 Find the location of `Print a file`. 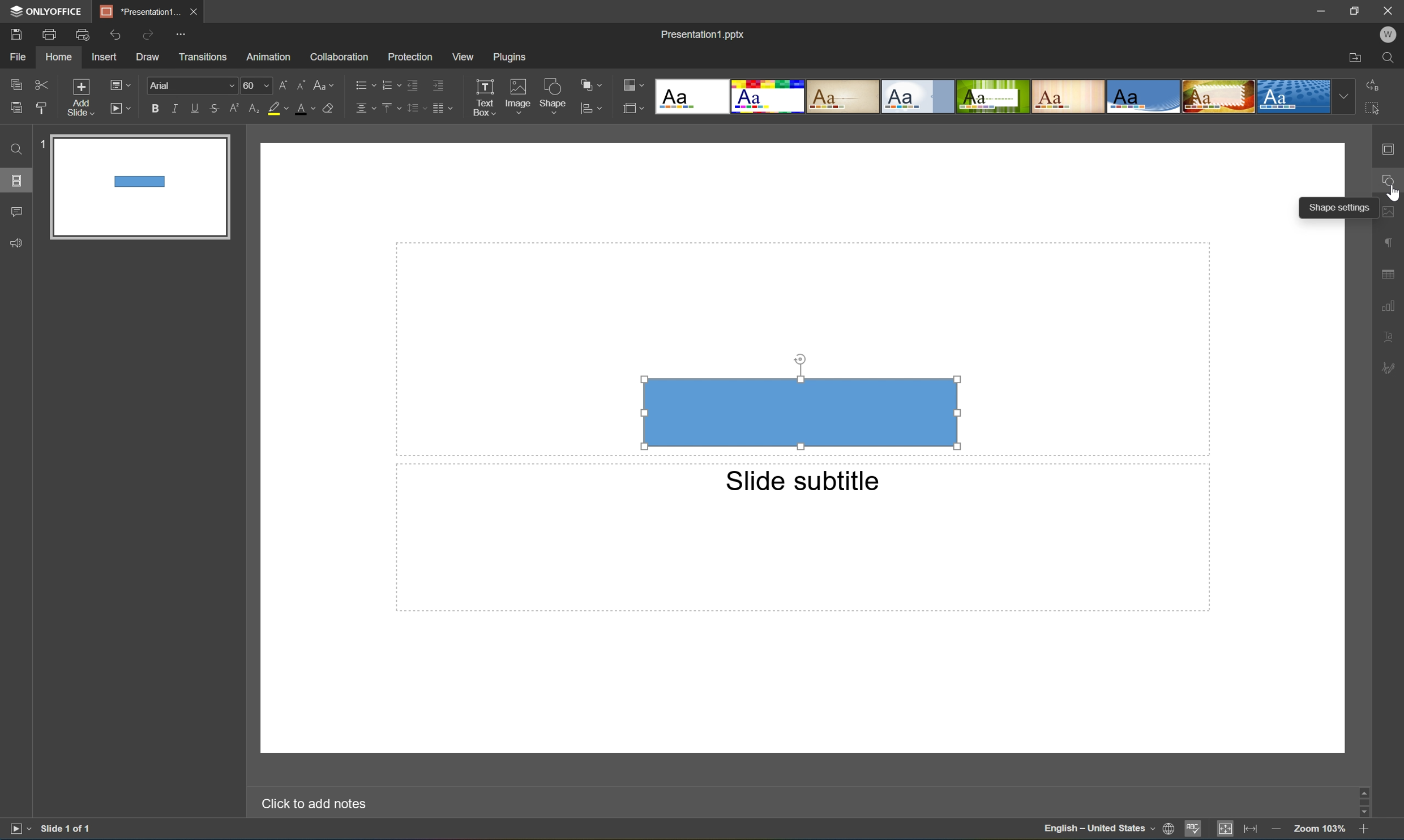

Print a file is located at coordinates (50, 34).